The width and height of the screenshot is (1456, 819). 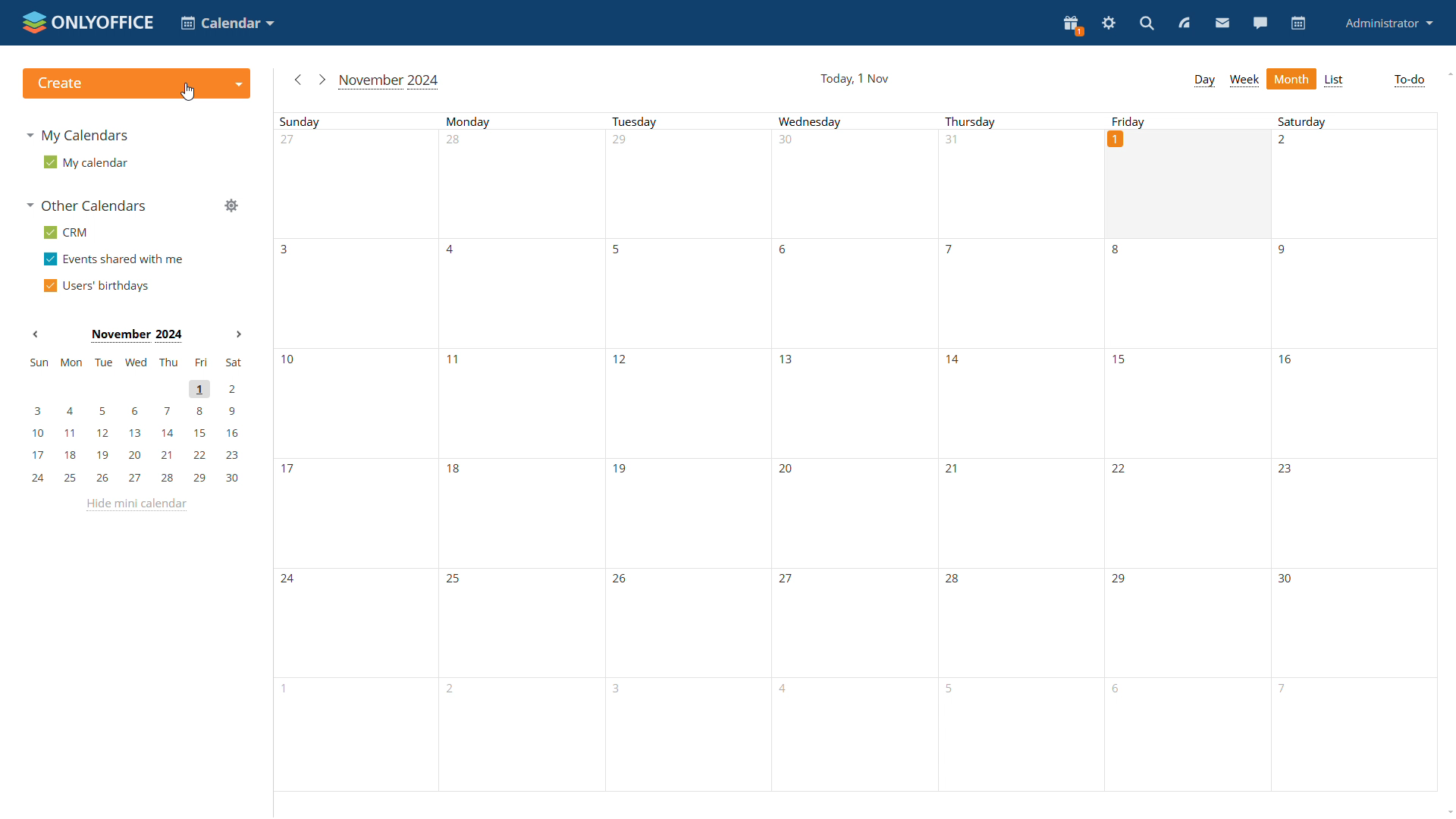 What do you see at coordinates (188, 92) in the screenshot?
I see `cursor` at bounding box center [188, 92].